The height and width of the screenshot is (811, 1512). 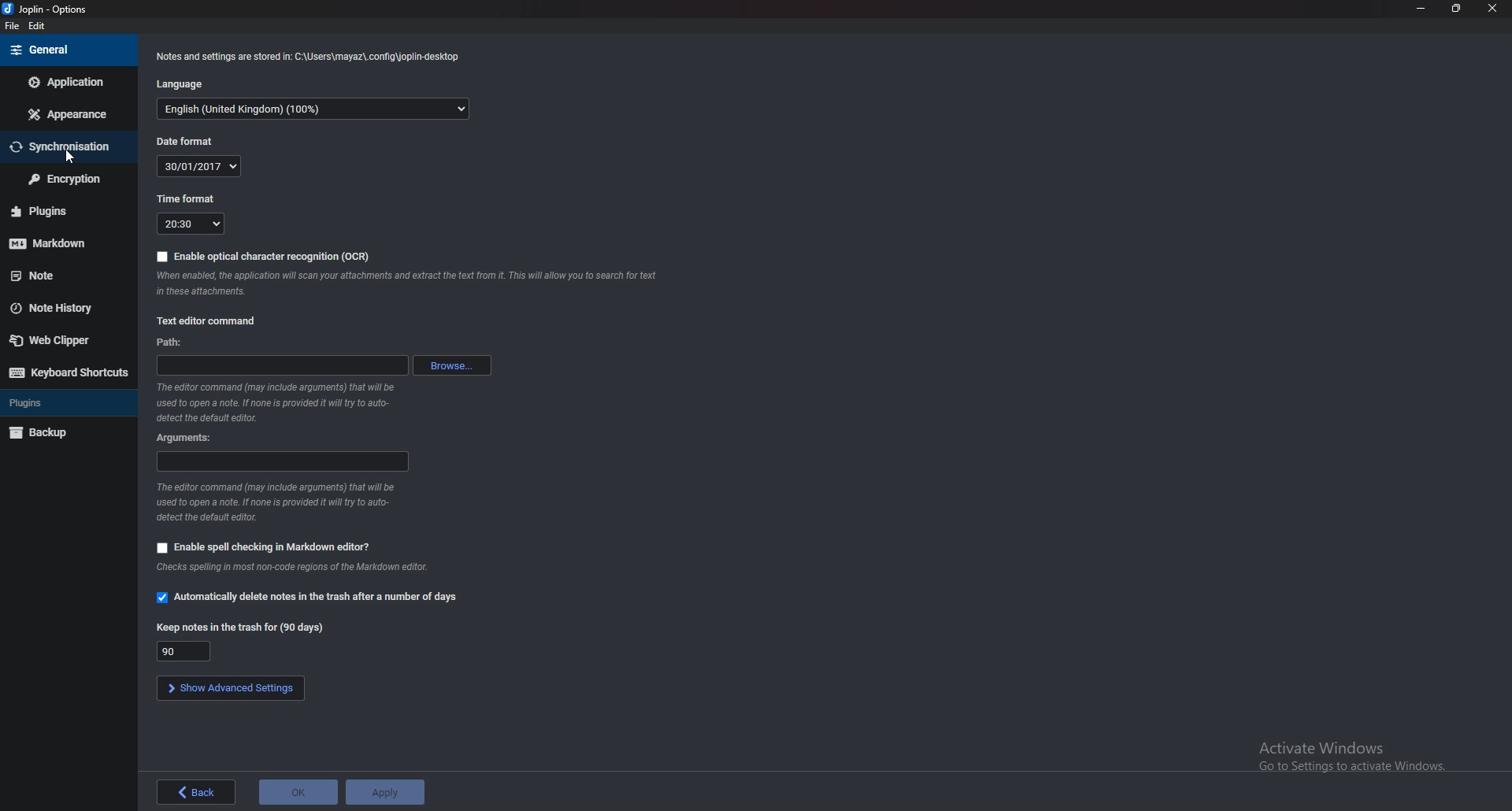 I want to click on Activate Windows, so click(x=1343, y=756).